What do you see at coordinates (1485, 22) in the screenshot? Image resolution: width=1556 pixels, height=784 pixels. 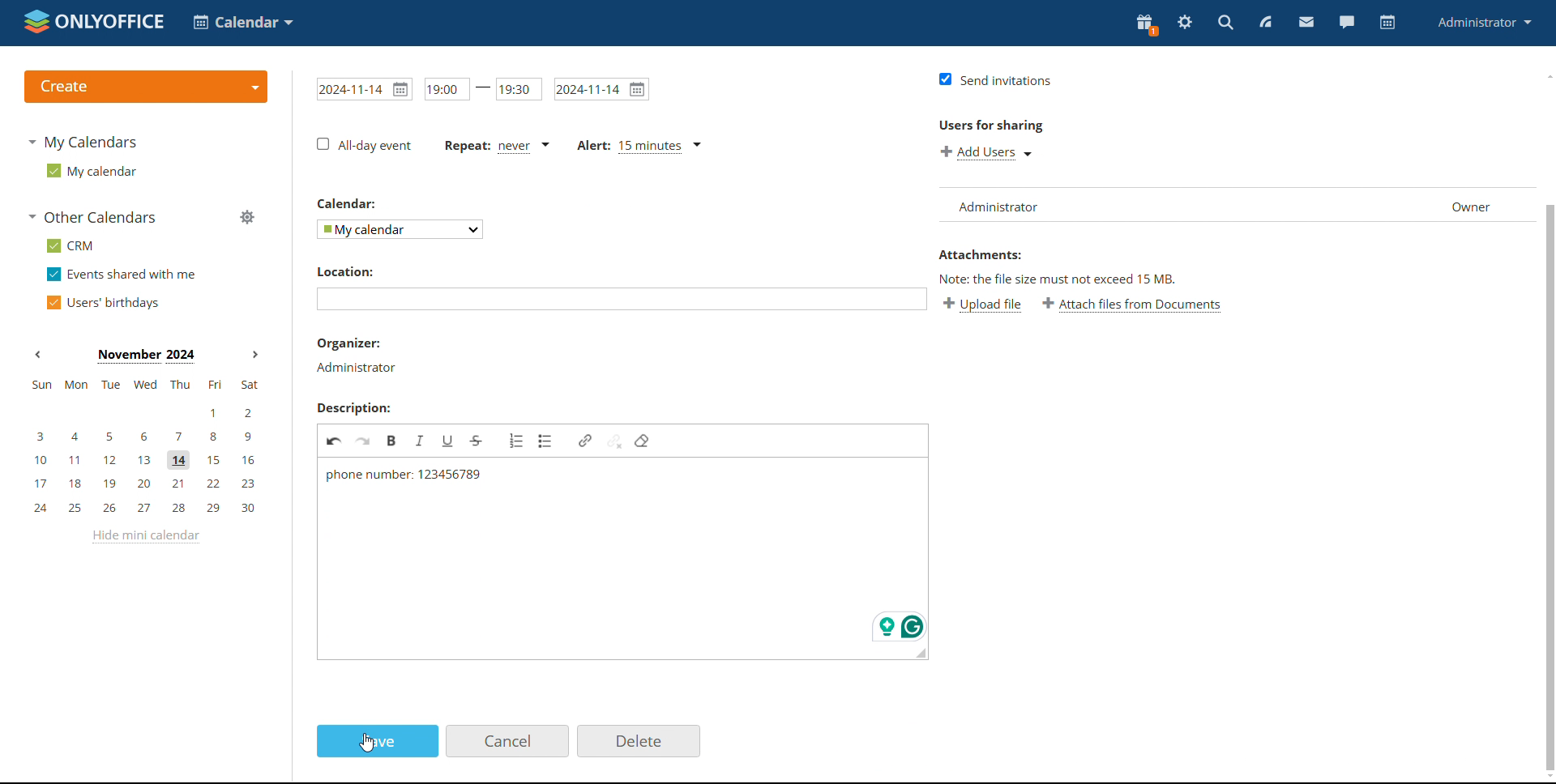 I see `profile` at bounding box center [1485, 22].